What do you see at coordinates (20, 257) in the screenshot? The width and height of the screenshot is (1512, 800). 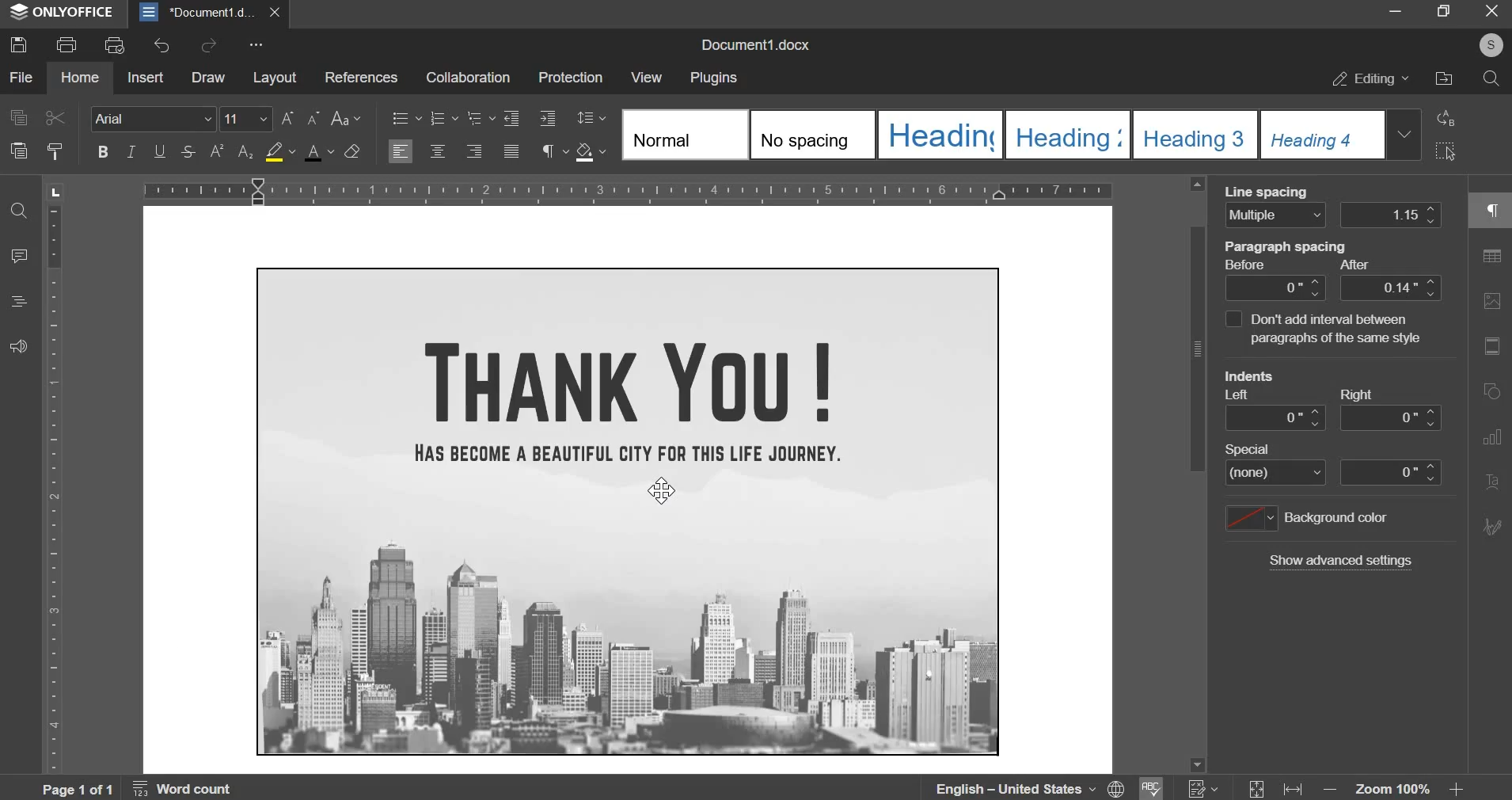 I see `comment` at bounding box center [20, 257].